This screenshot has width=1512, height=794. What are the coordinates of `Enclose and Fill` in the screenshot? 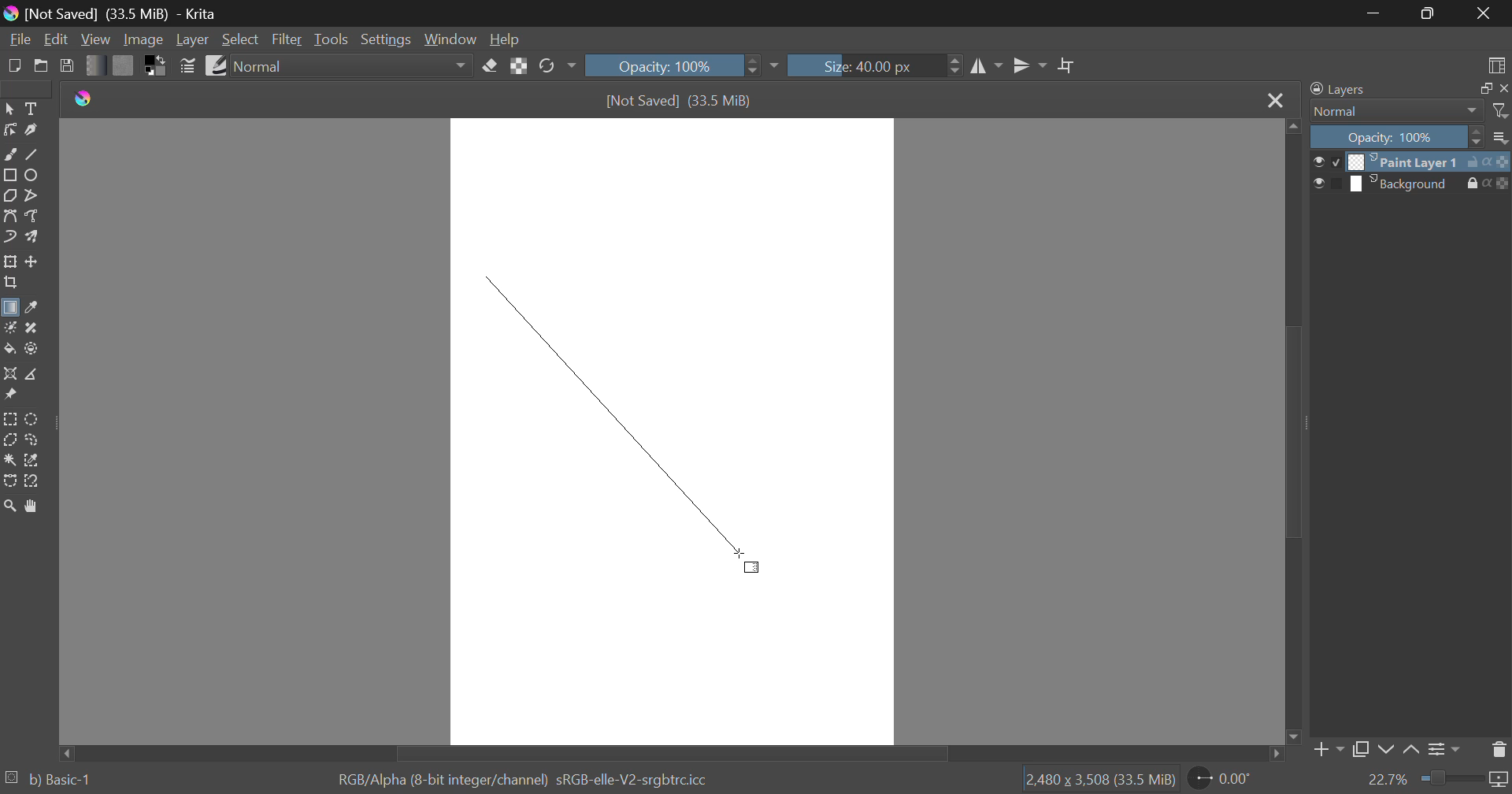 It's located at (30, 349).